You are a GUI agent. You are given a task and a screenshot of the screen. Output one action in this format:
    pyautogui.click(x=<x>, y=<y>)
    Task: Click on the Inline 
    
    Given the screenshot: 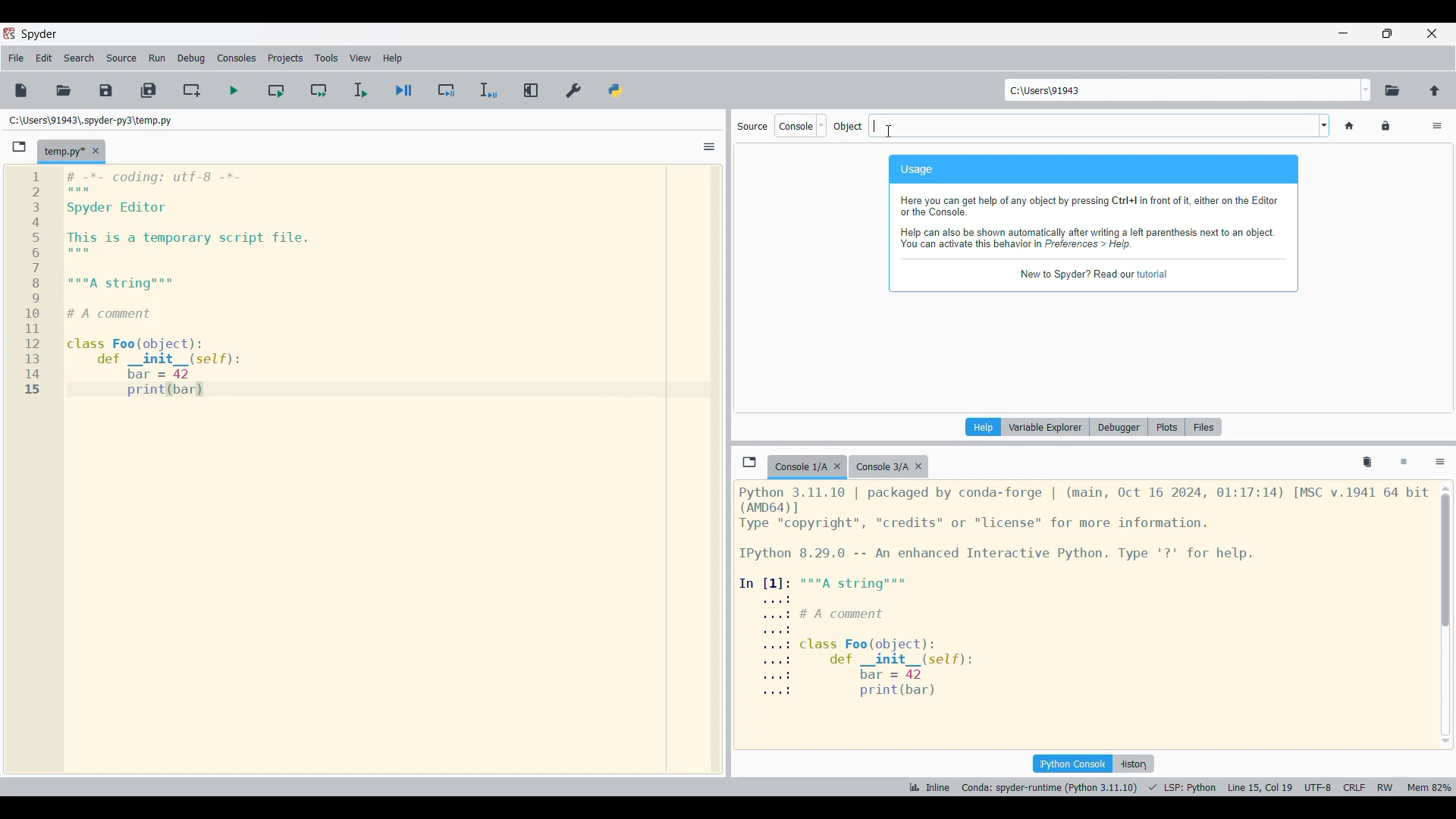 What is the action you would take?
    pyautogui.click(x=932, y=783)
    